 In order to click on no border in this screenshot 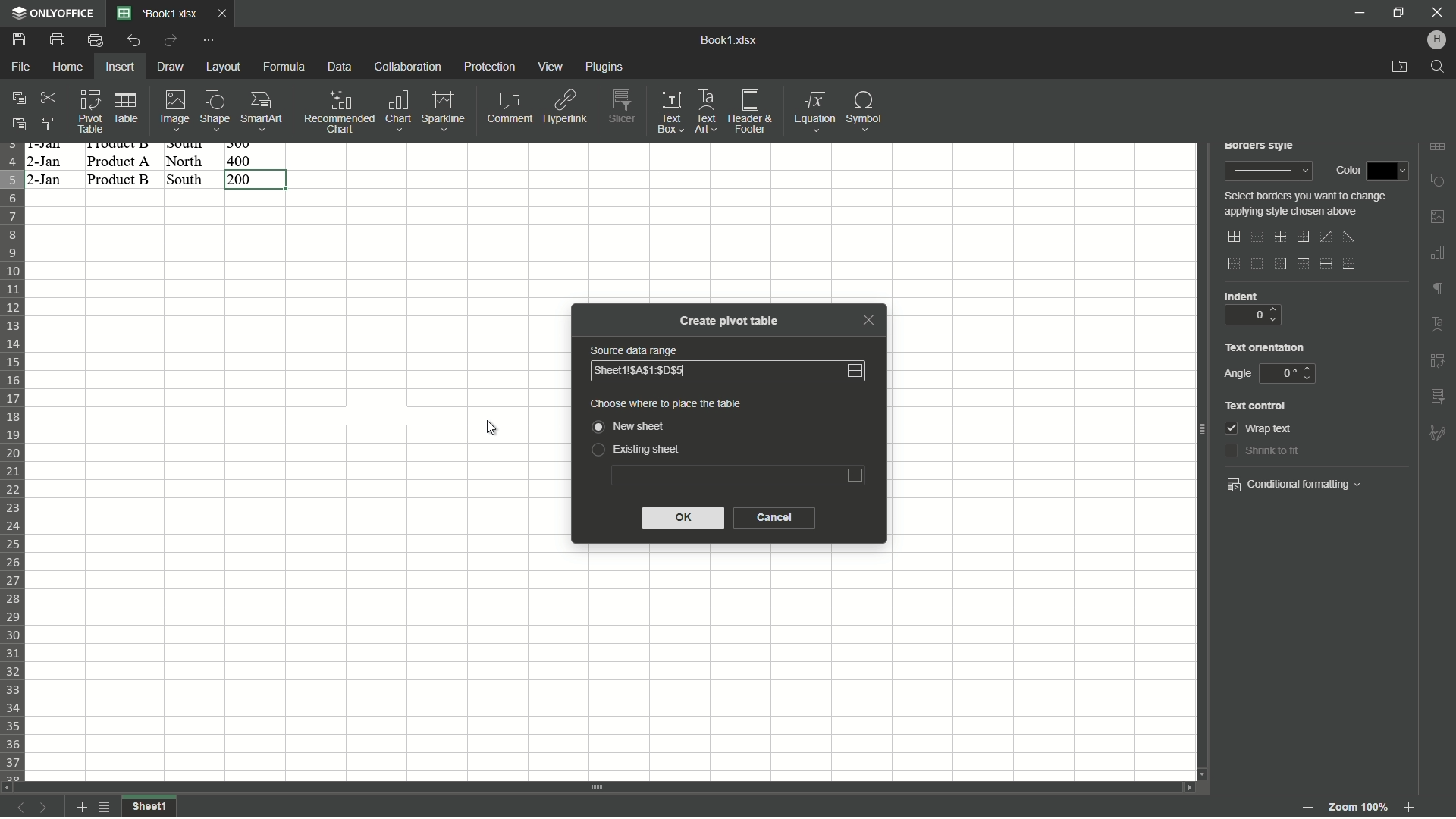, I will do `click(1253, 237)`.